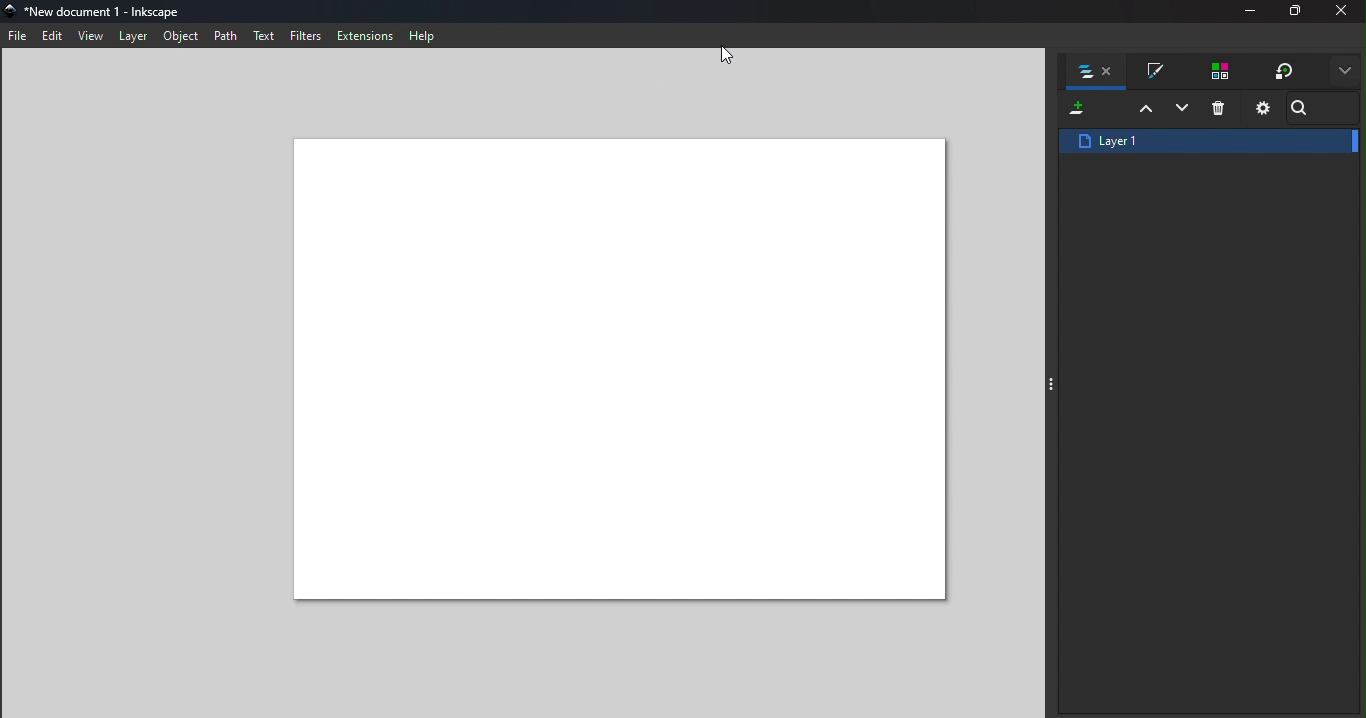 The width and height of the screenshot is (1366, 718). Describe the element at coordinates (132, 36) in the screenshot. I see `Layer` at that location.